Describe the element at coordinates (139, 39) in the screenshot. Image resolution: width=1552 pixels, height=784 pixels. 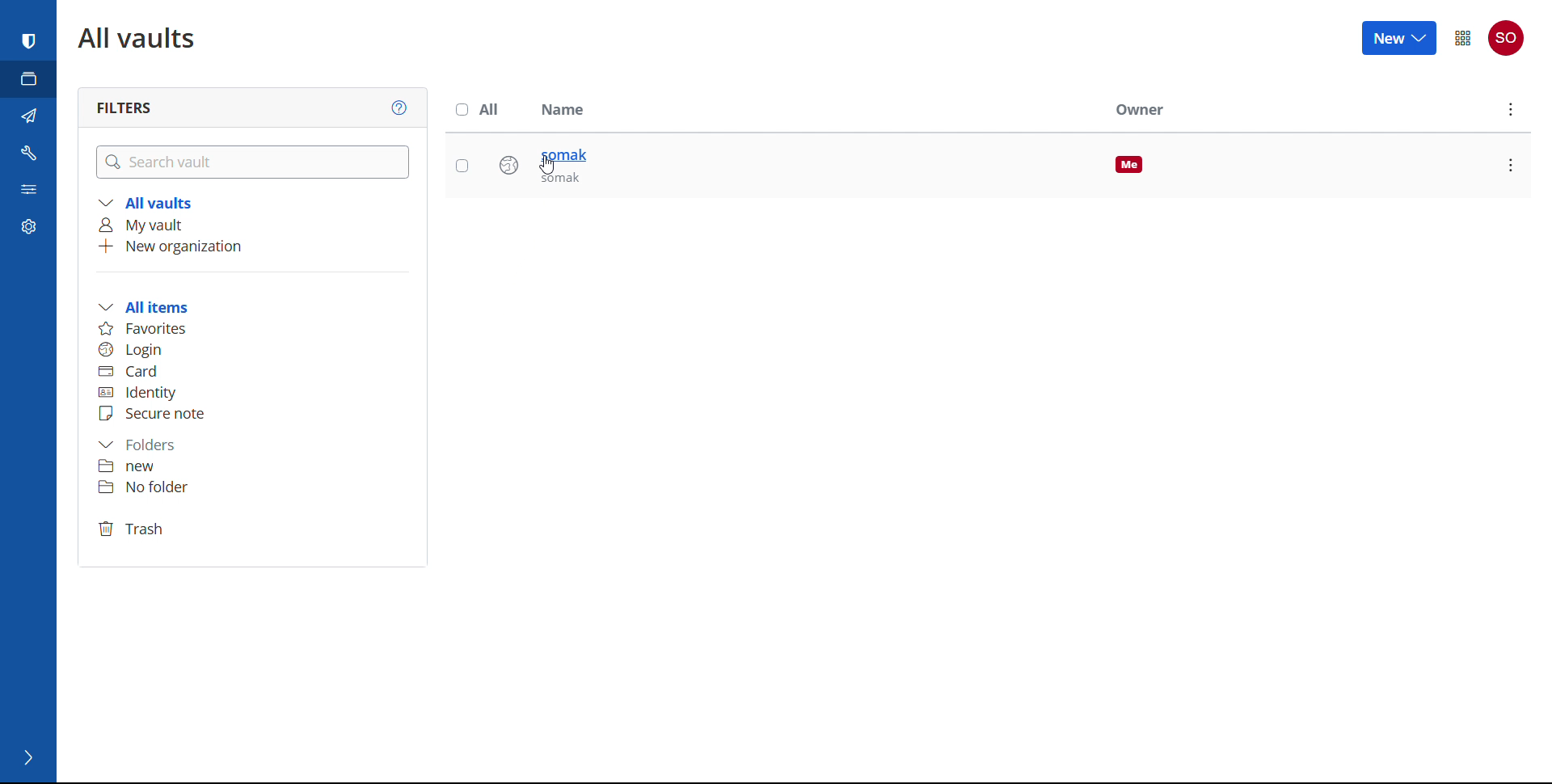
I see `all vaults` at that location.